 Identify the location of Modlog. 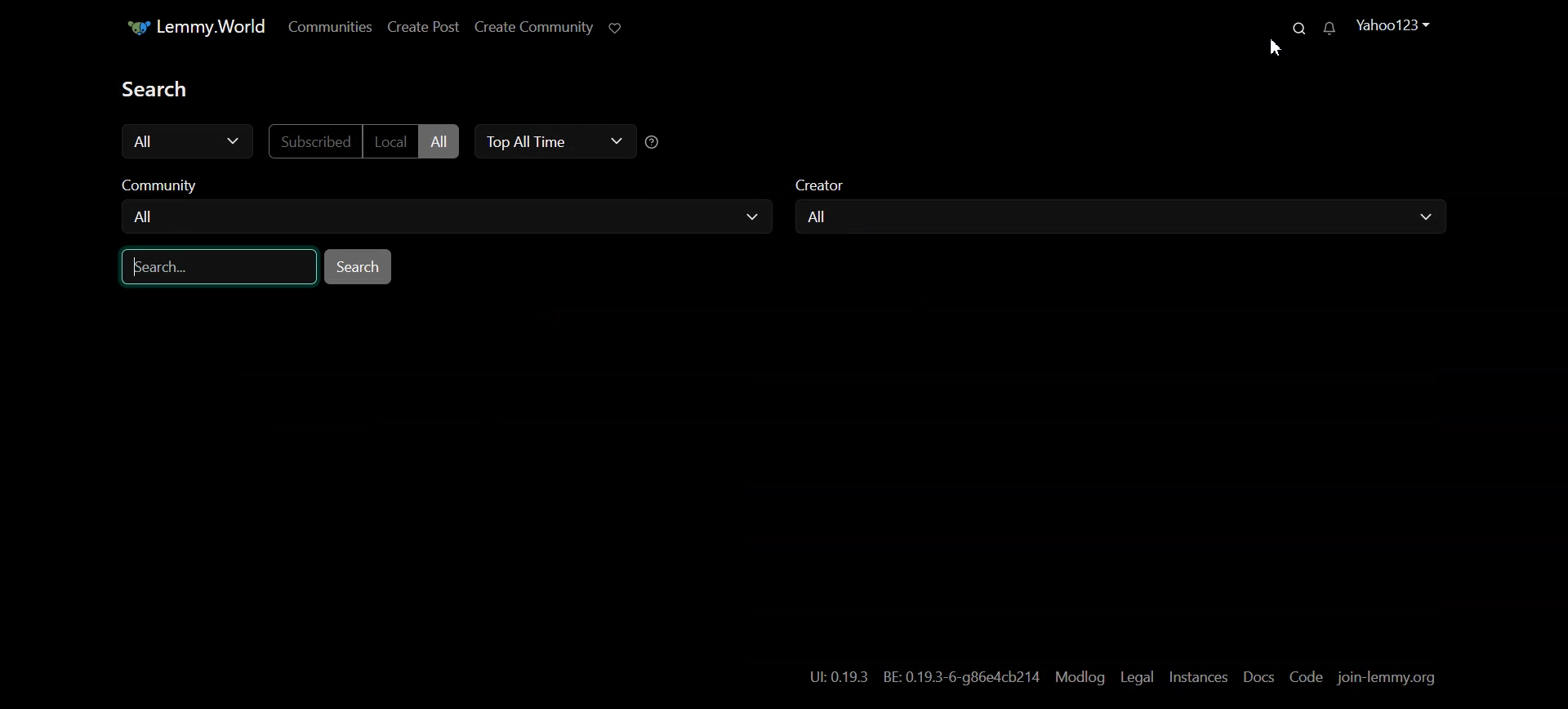
(1080, 675).